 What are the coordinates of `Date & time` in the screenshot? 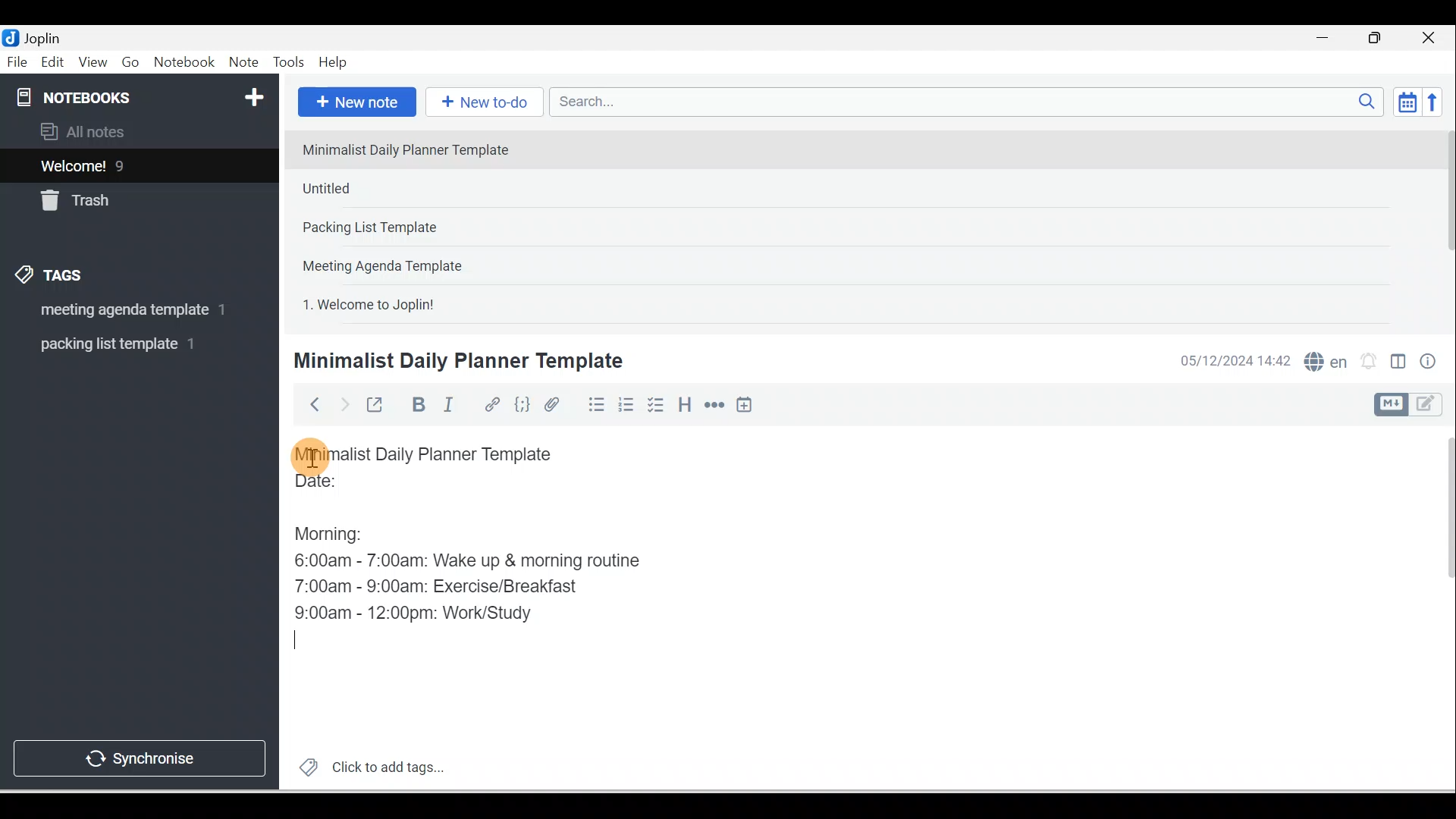 It's located at (1232, 361).